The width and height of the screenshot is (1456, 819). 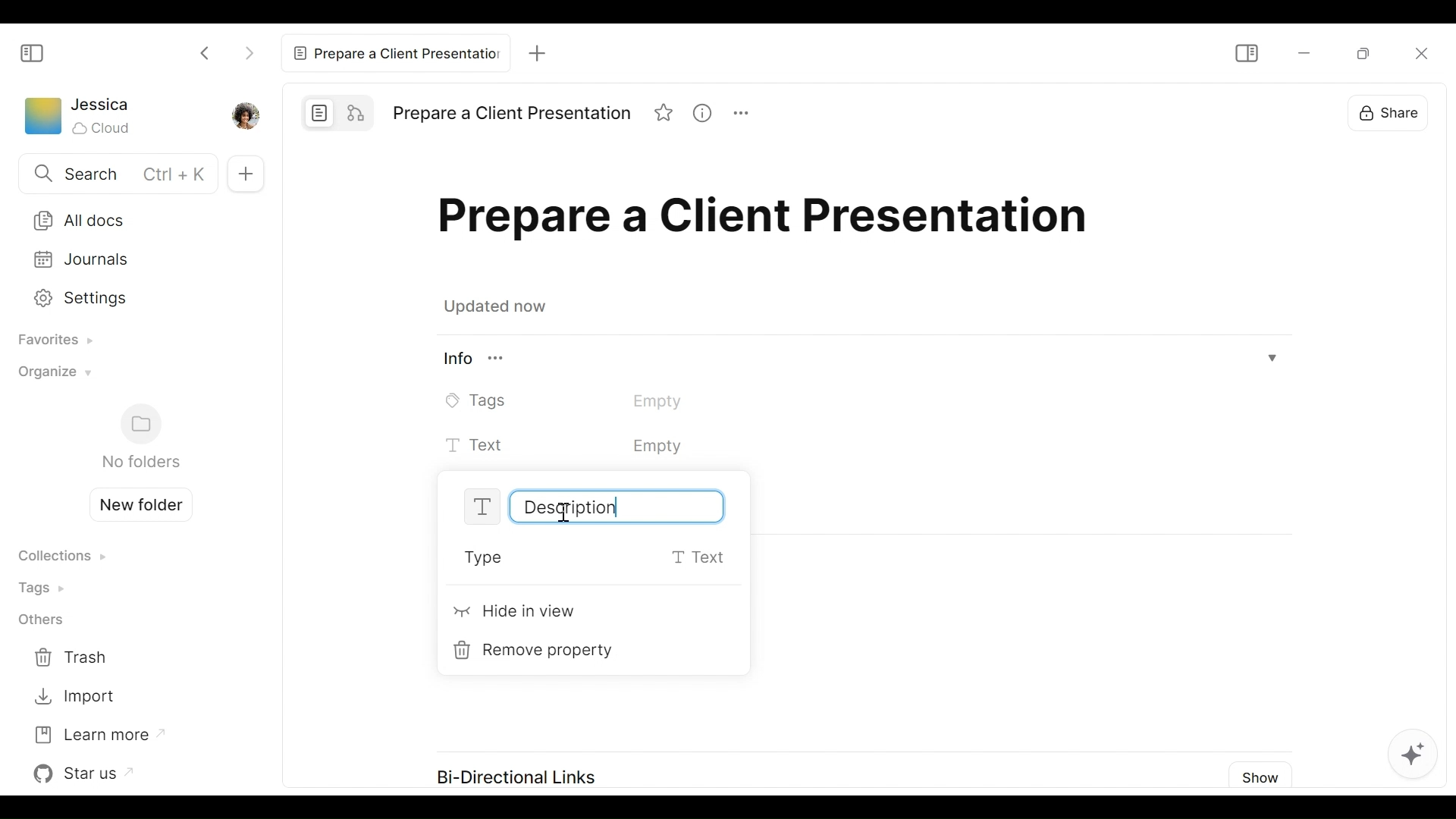 I want to click on Type, so click(x=597, y=557).